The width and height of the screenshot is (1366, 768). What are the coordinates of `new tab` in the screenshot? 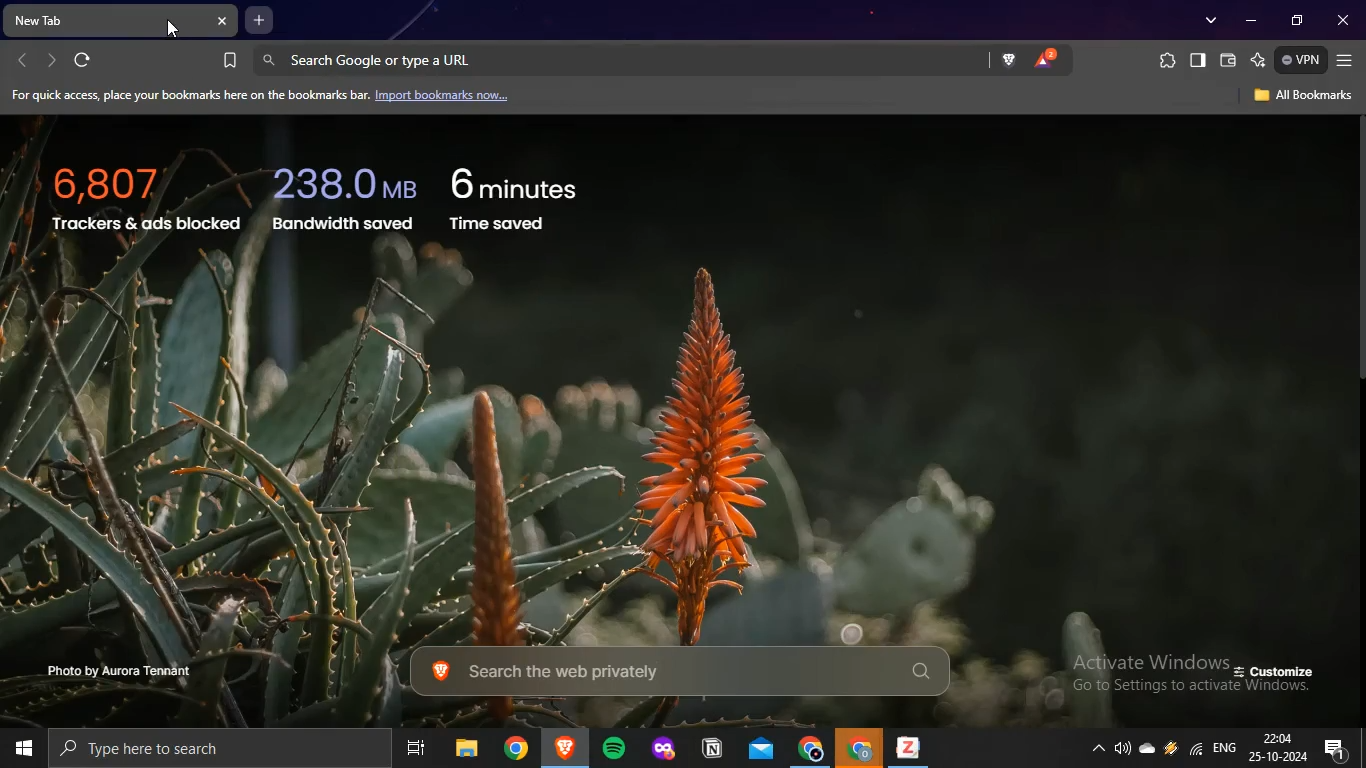 It's located at (264, 21).